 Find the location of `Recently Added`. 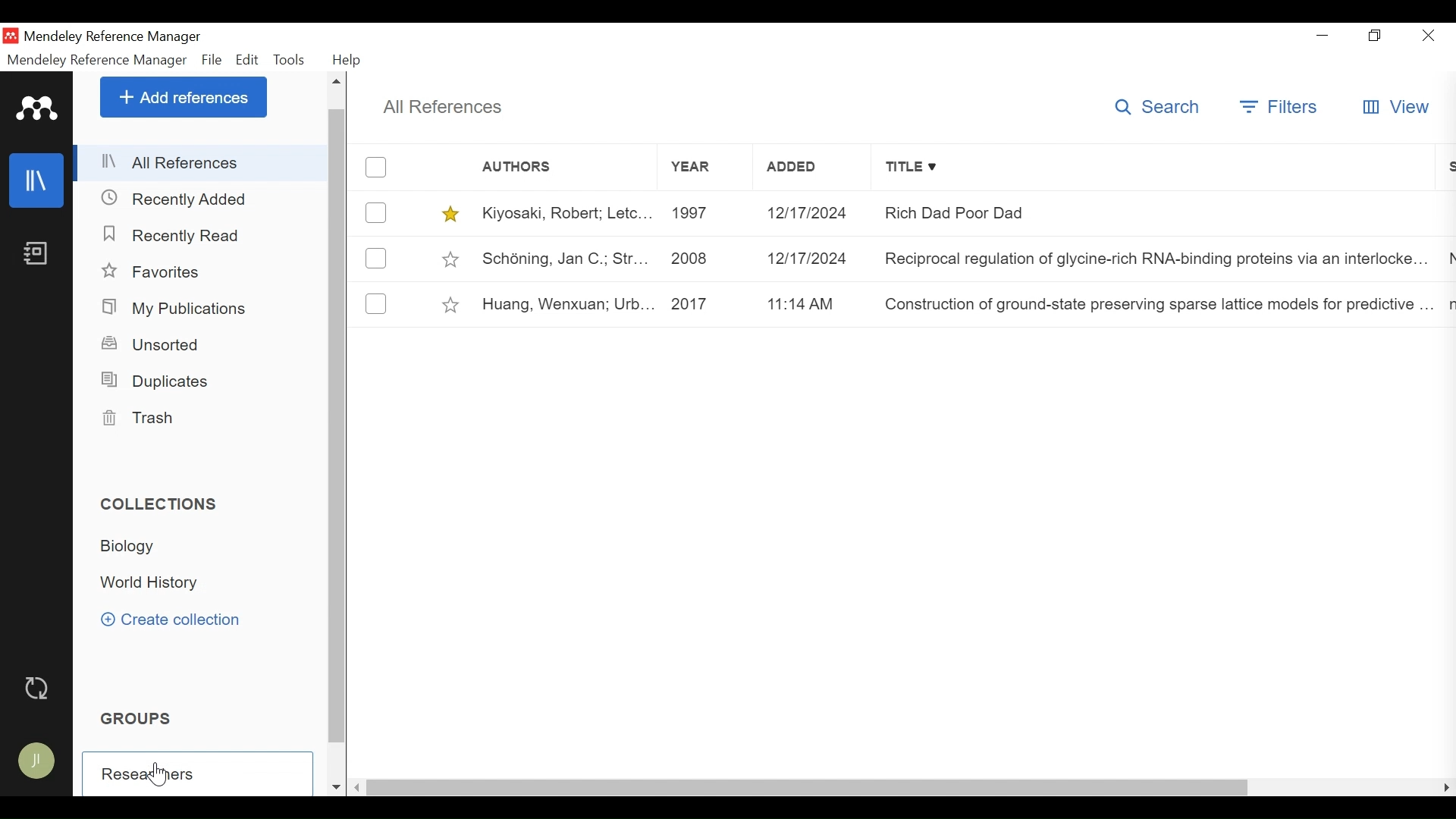

Recently Added is located at coordinates (177, 199).